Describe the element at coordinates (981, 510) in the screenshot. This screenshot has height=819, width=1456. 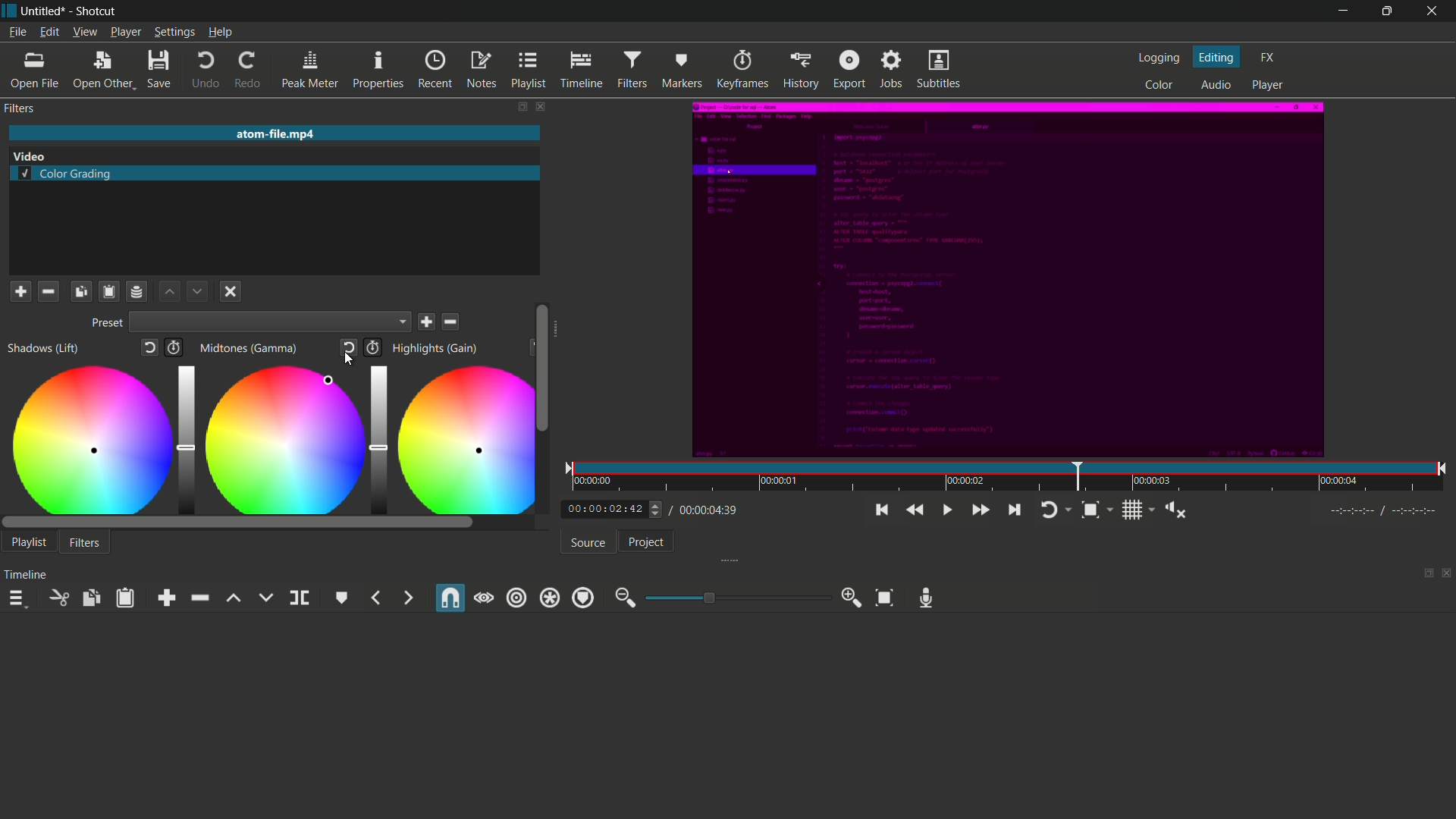
I see `quickly play forward` at that location.